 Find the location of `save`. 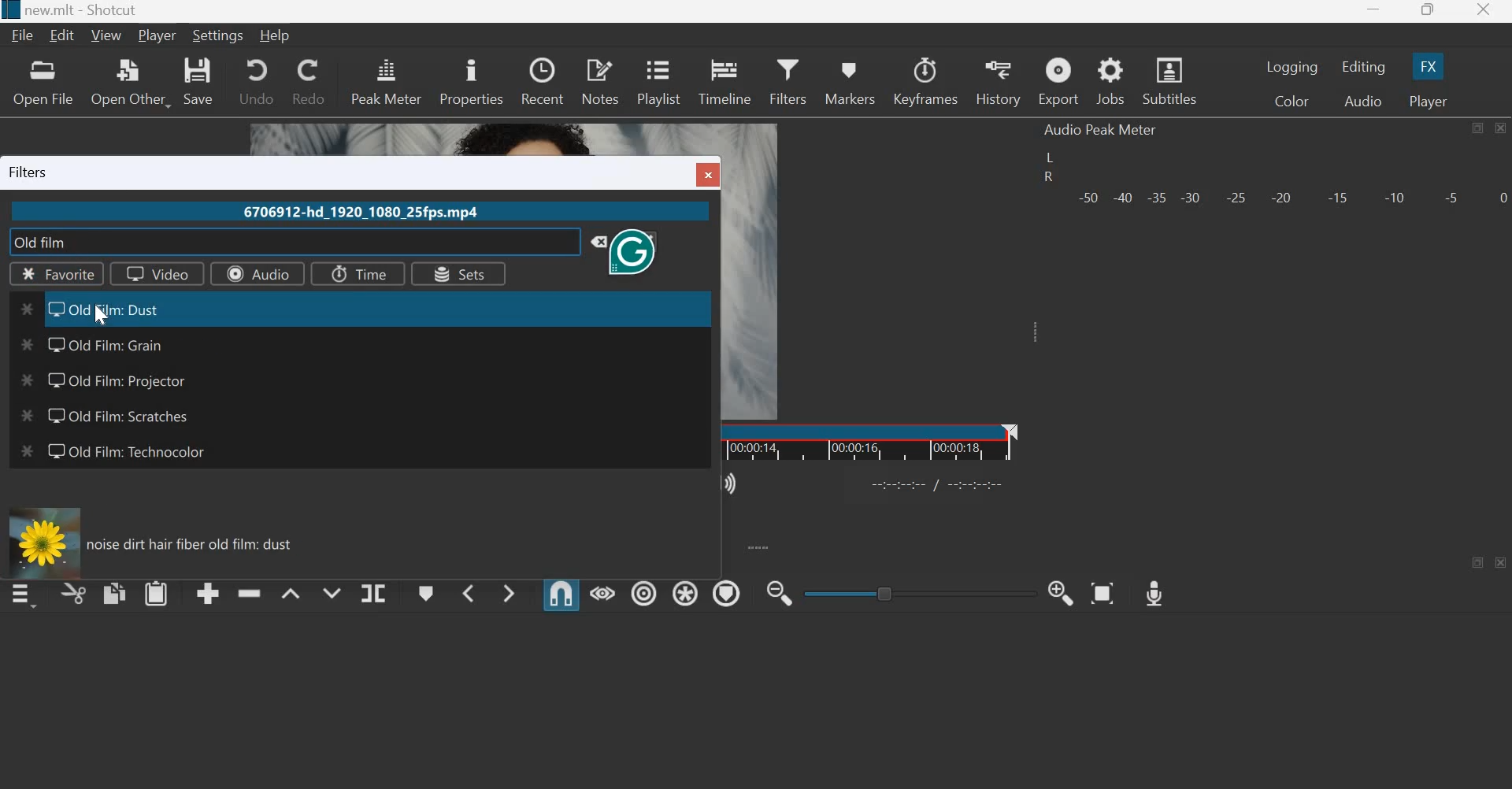

save is located at coordinates (199, 81).